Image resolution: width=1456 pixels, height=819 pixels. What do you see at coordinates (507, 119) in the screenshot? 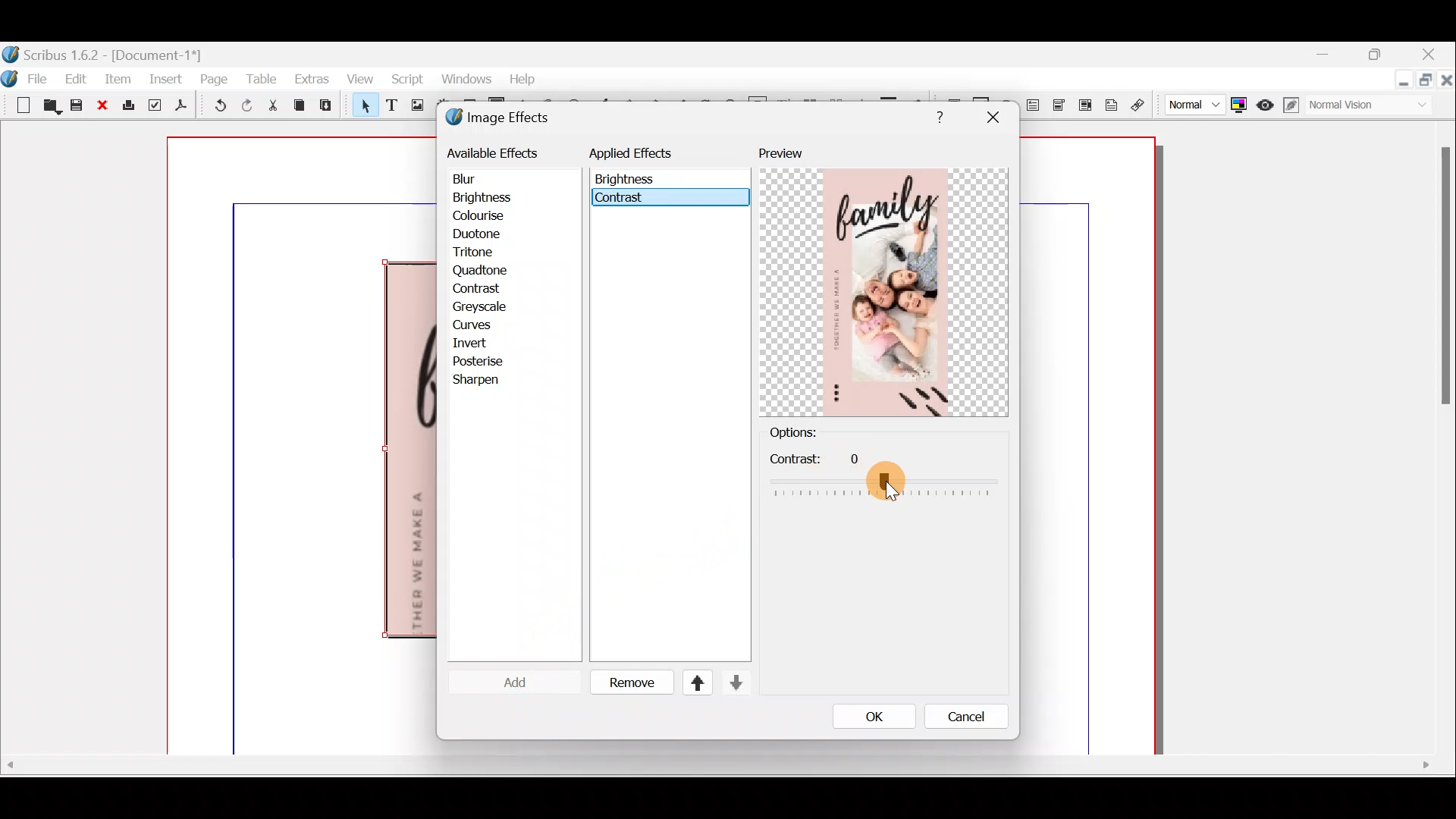
I see `Image effects` at bounding box center [507, 119].